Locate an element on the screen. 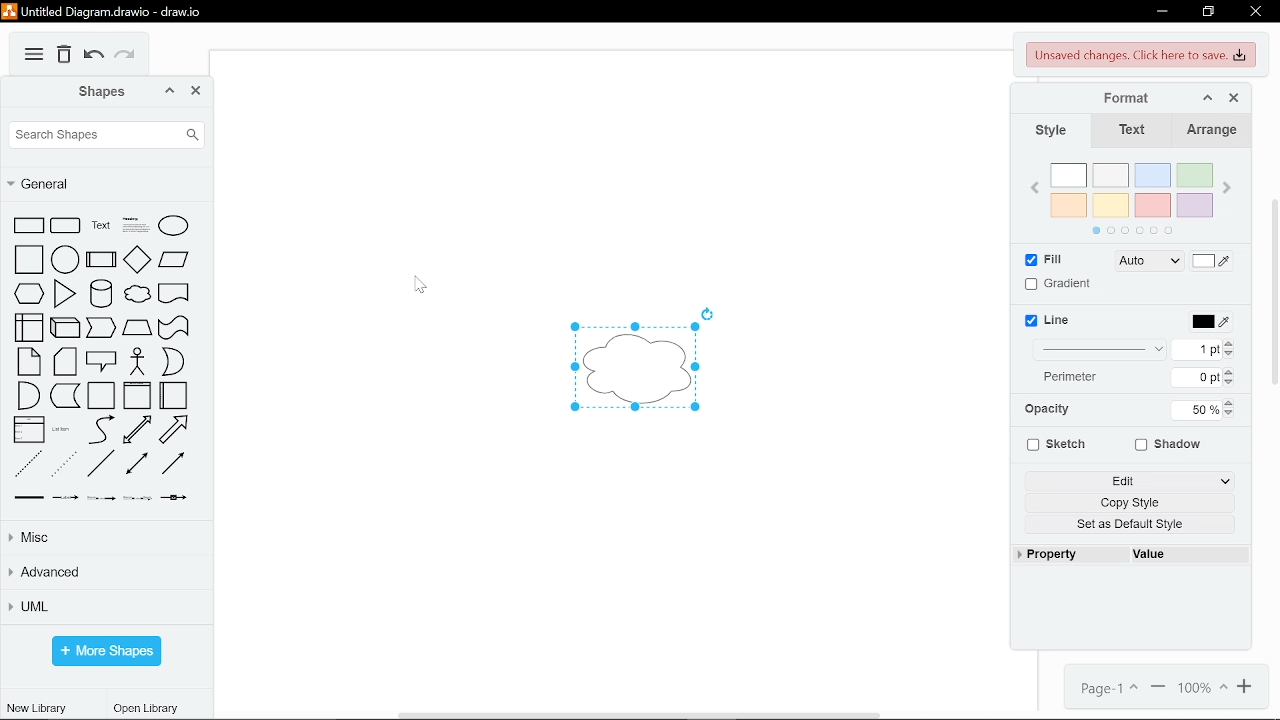  copy style is located at coordinates (1132, 502).